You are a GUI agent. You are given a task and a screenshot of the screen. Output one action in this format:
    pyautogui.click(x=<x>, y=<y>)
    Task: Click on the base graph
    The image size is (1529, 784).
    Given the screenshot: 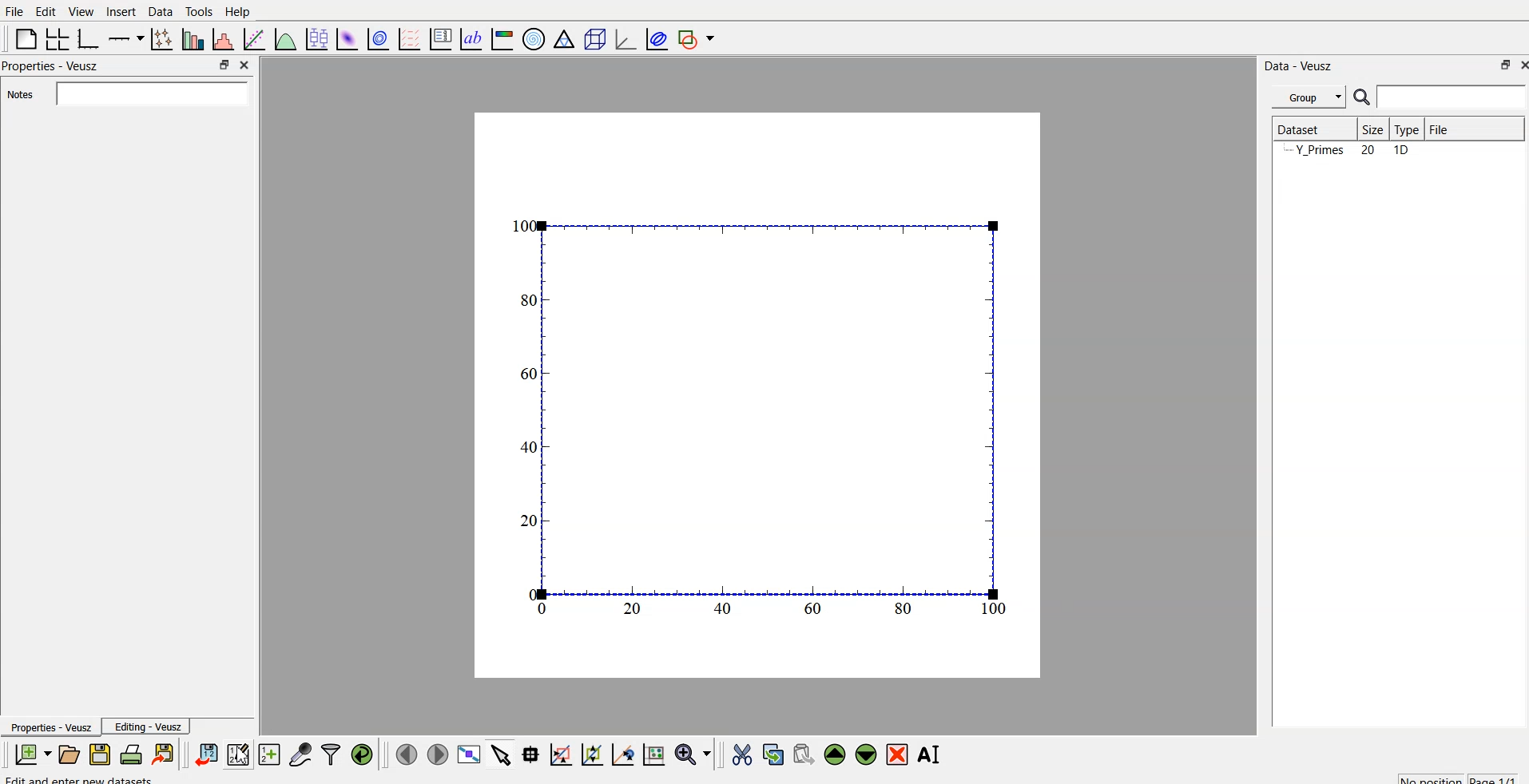 What is the action you would take?
    pyautogui.click(x=85, y=37)
    